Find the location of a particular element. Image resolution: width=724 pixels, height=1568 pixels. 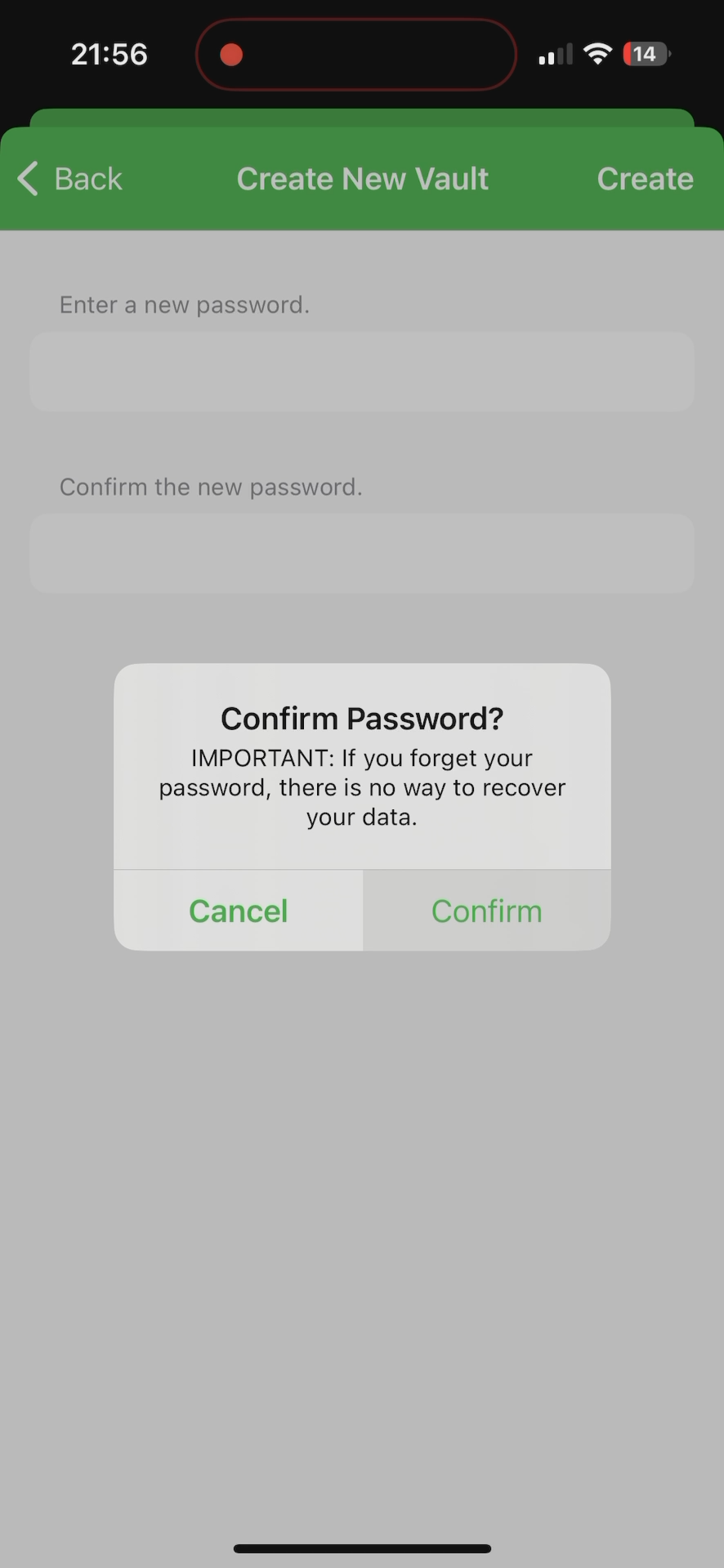

caption for new password is located at coordinates (363, 372).